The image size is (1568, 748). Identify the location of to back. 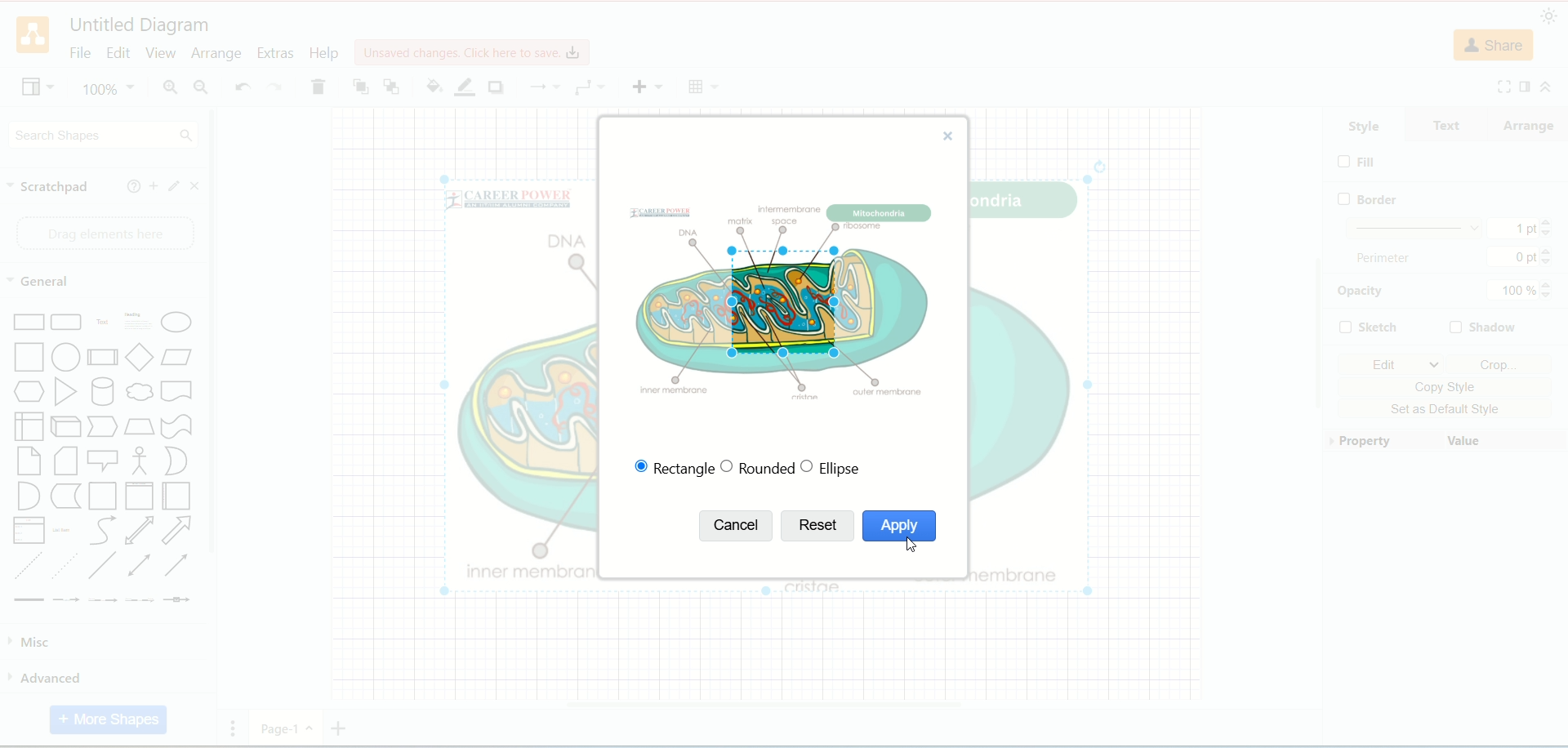
(391, 87).